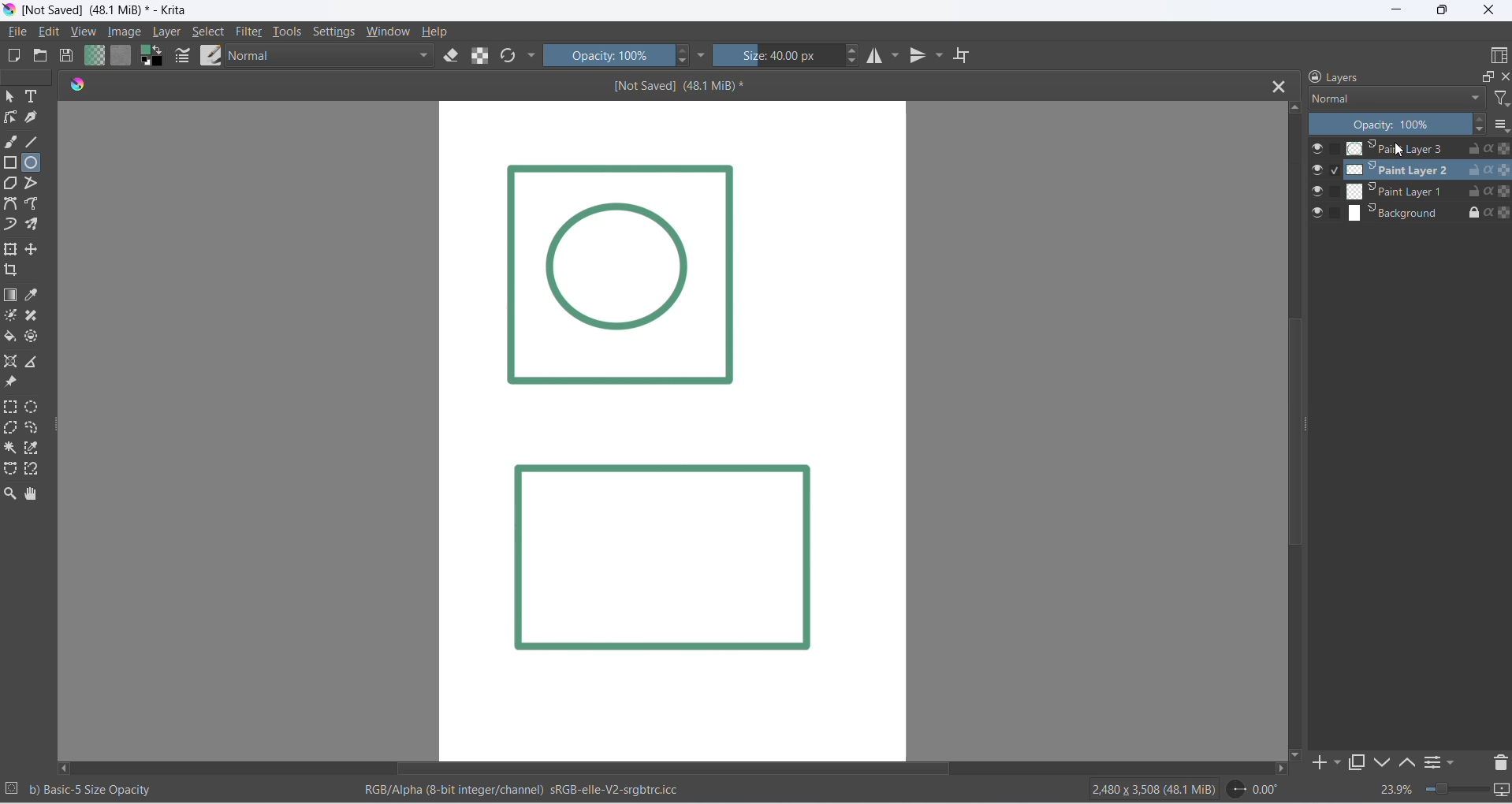  Describe the element at coordinates (14, 272) in the screenshot. I see `crop image` at that location.